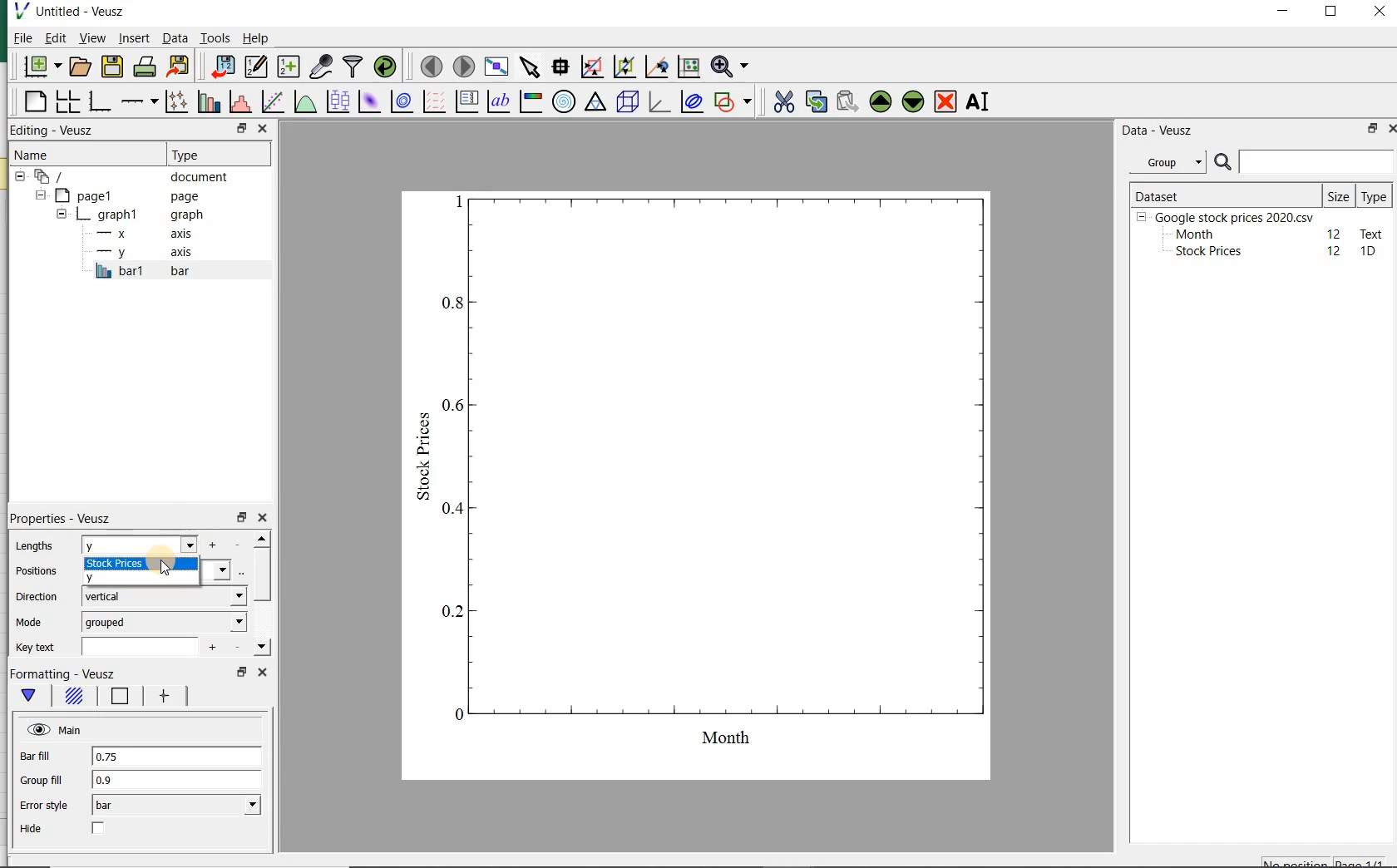 Image resolution: width=1397 pixels, height=868 pixels. What do you see at coordinates (1193, 234) in the screenshot?
I see `Month` at bounding box center [1193, 234].